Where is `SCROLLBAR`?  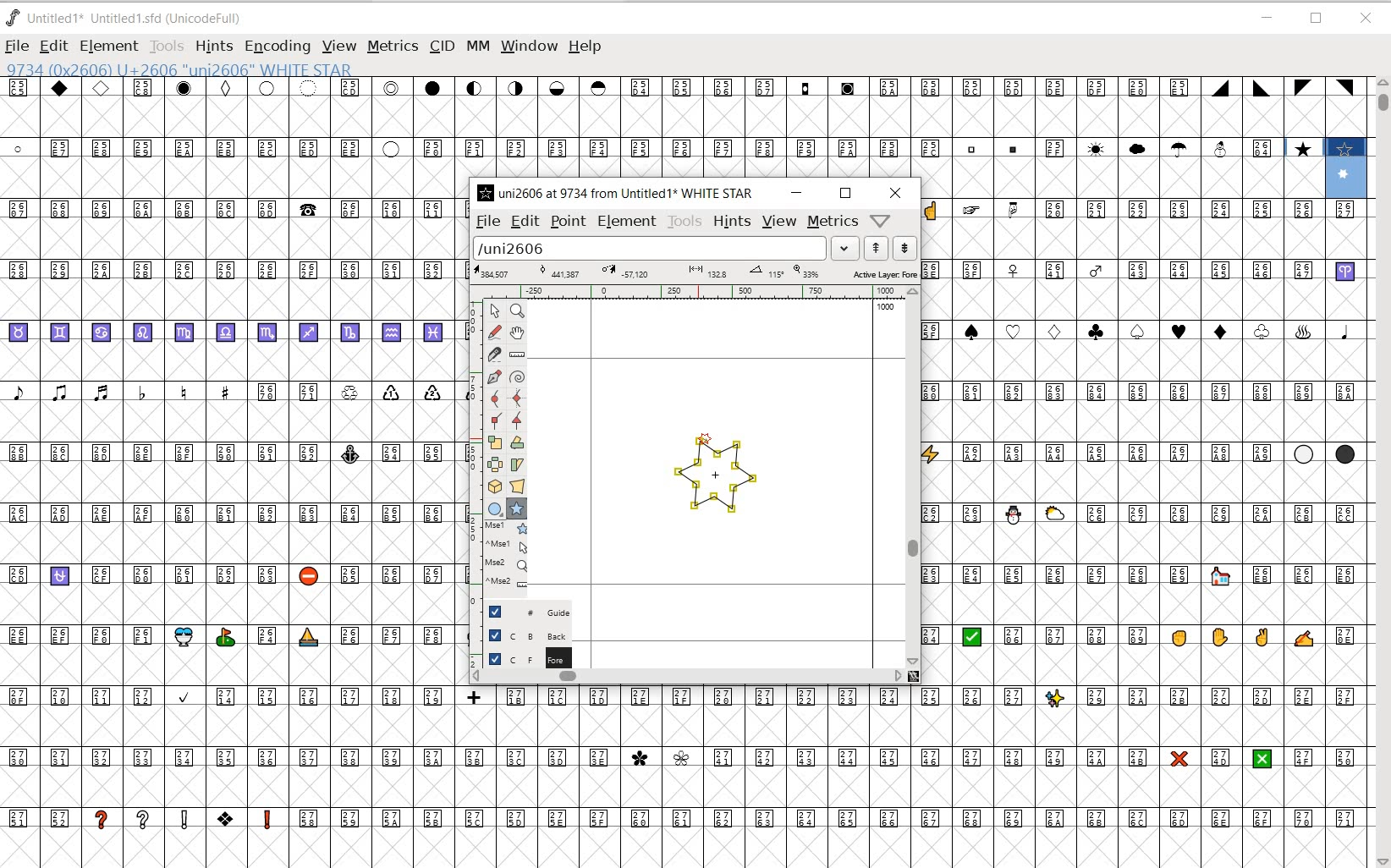
SCROLLBAR is located at coordinates (694, 678).